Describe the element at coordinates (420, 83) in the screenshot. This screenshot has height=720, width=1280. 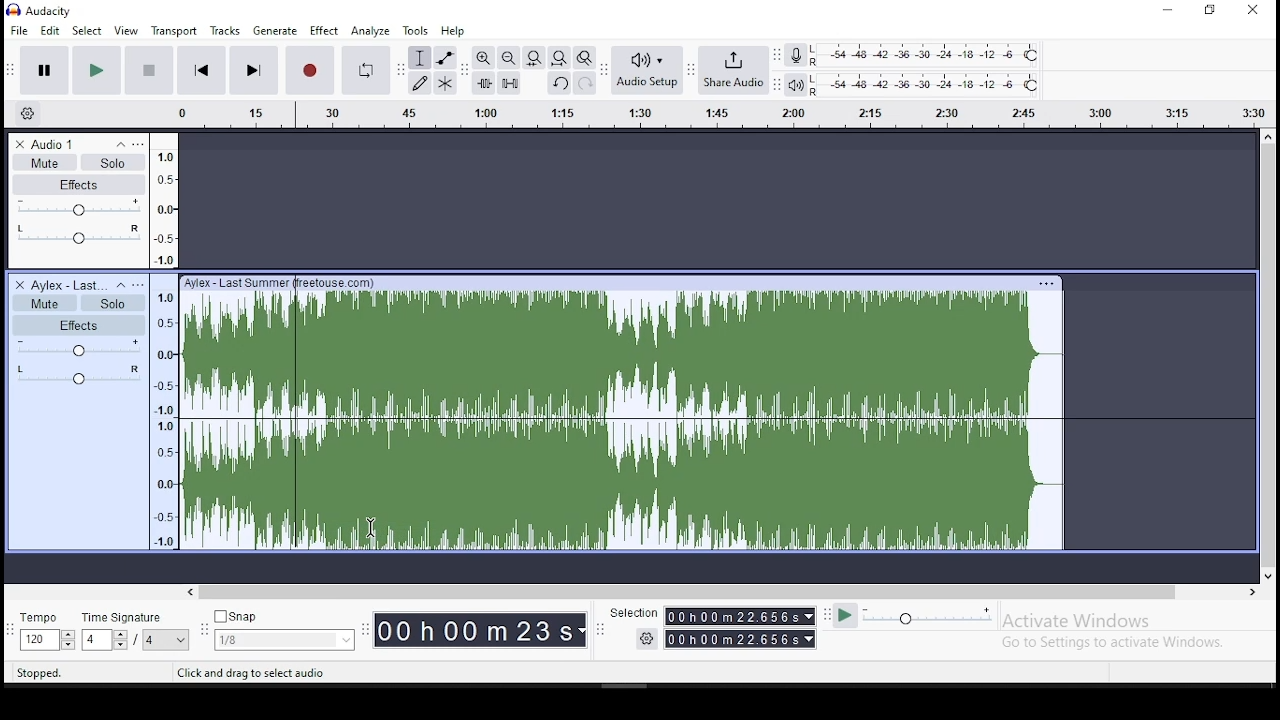
I see `draw tool` at that location.